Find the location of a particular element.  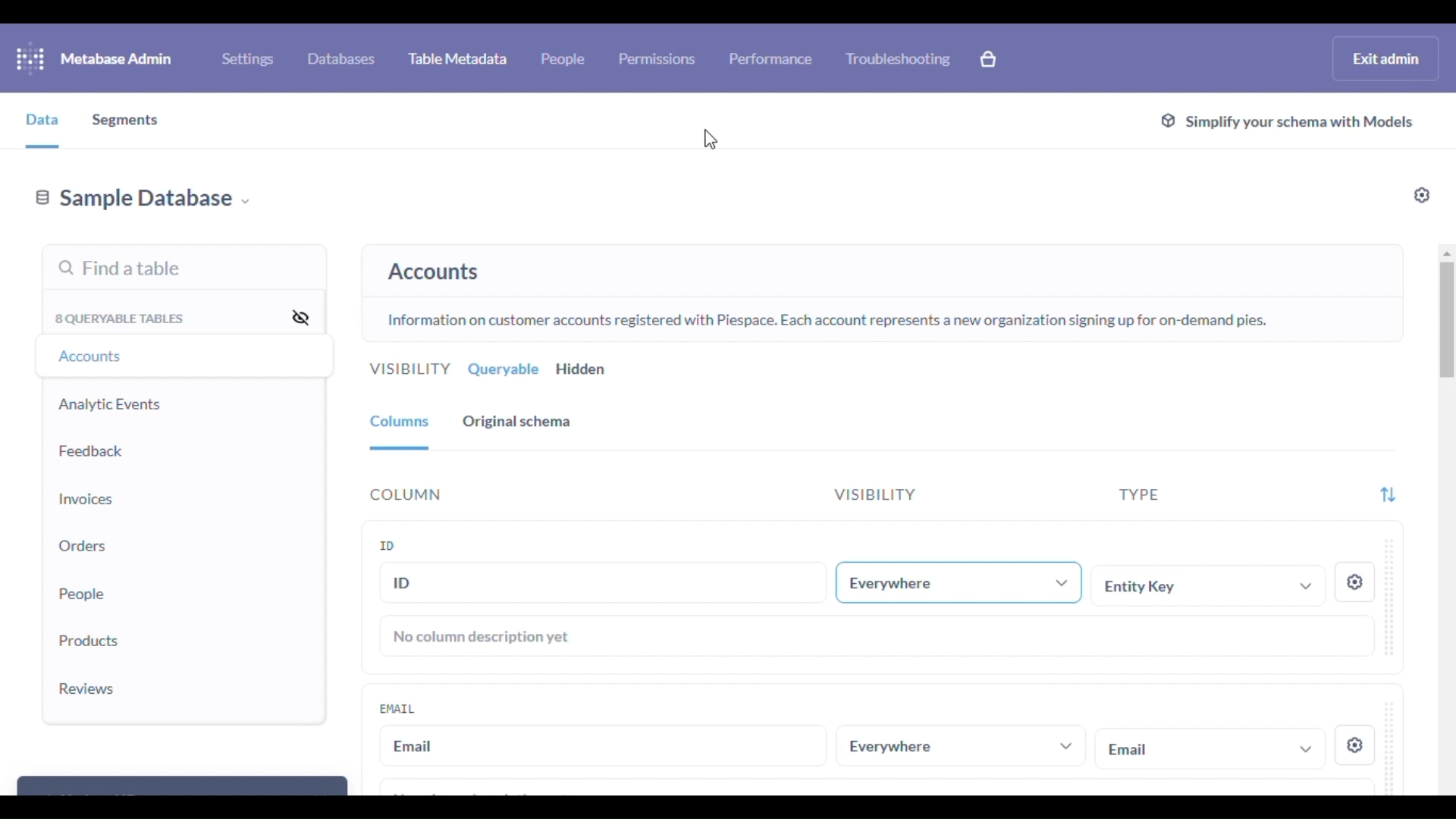

everywhere is located at coordinates (959, 746).